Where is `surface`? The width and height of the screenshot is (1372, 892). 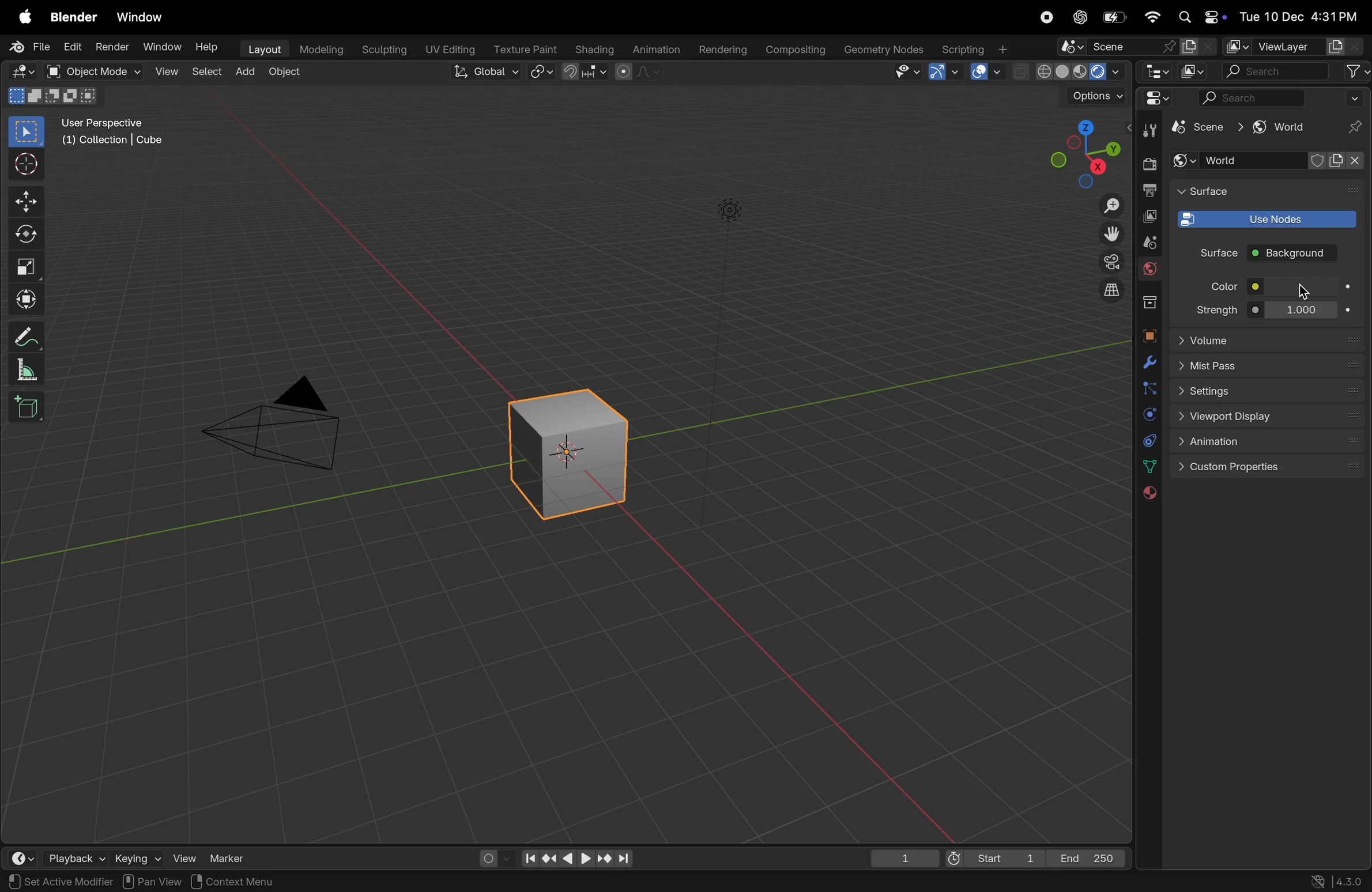
surface is located at coordinates (1208, 192).